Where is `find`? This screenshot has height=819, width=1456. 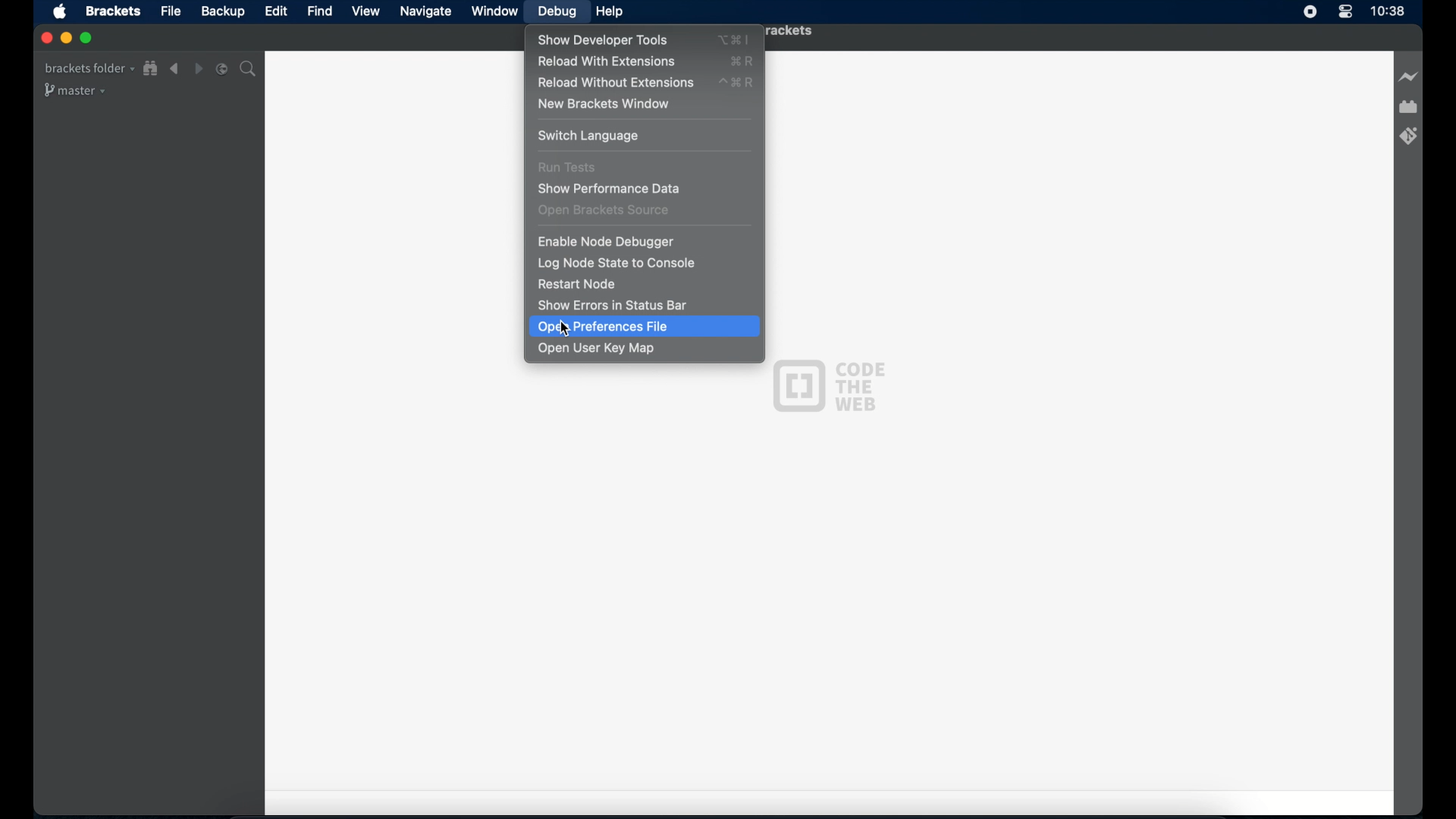 find is located at coordinates (320, 11).